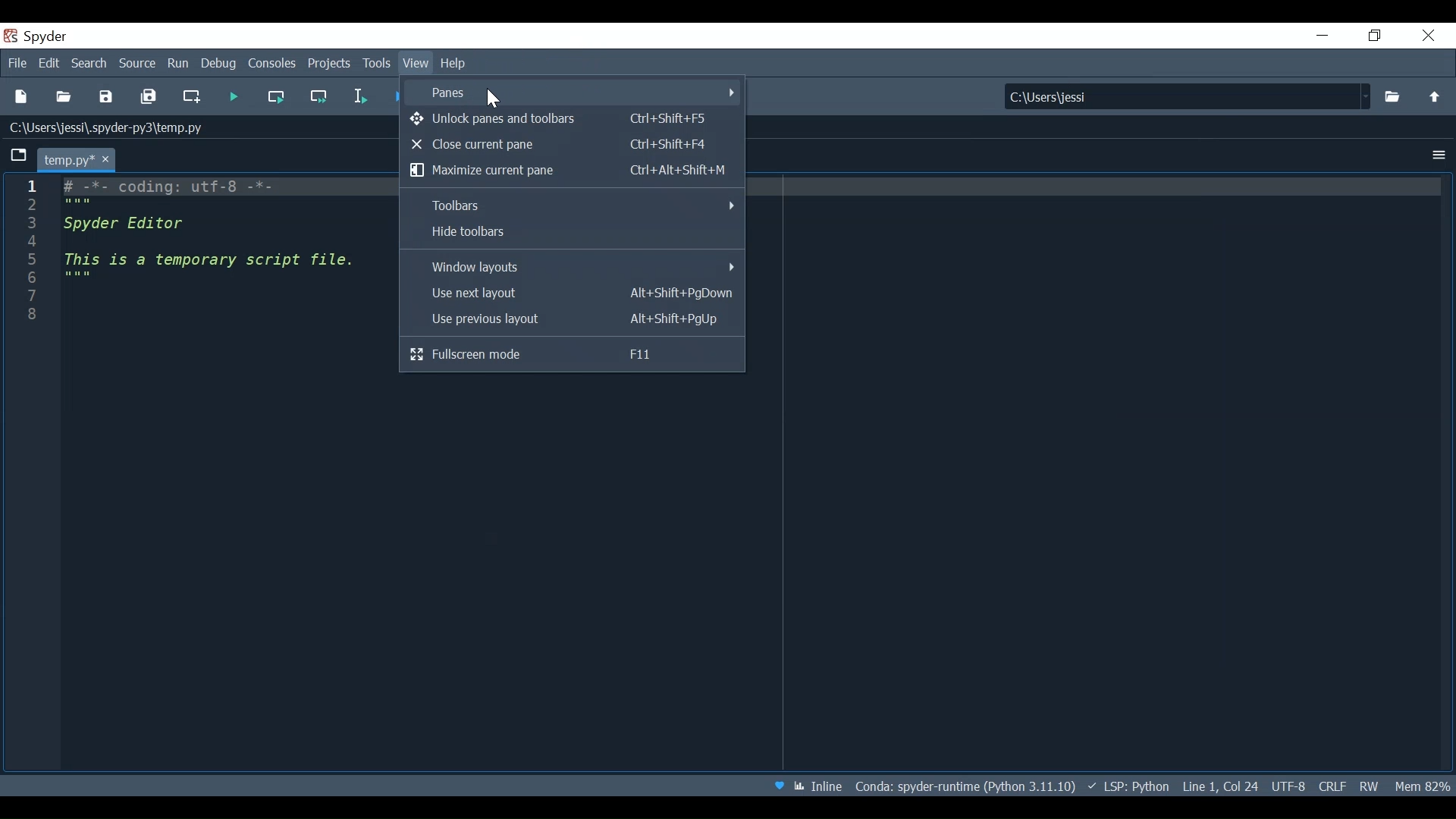 This screenshot has height=819, width=1456. I want to click on Window layouts, so click(573, 265).